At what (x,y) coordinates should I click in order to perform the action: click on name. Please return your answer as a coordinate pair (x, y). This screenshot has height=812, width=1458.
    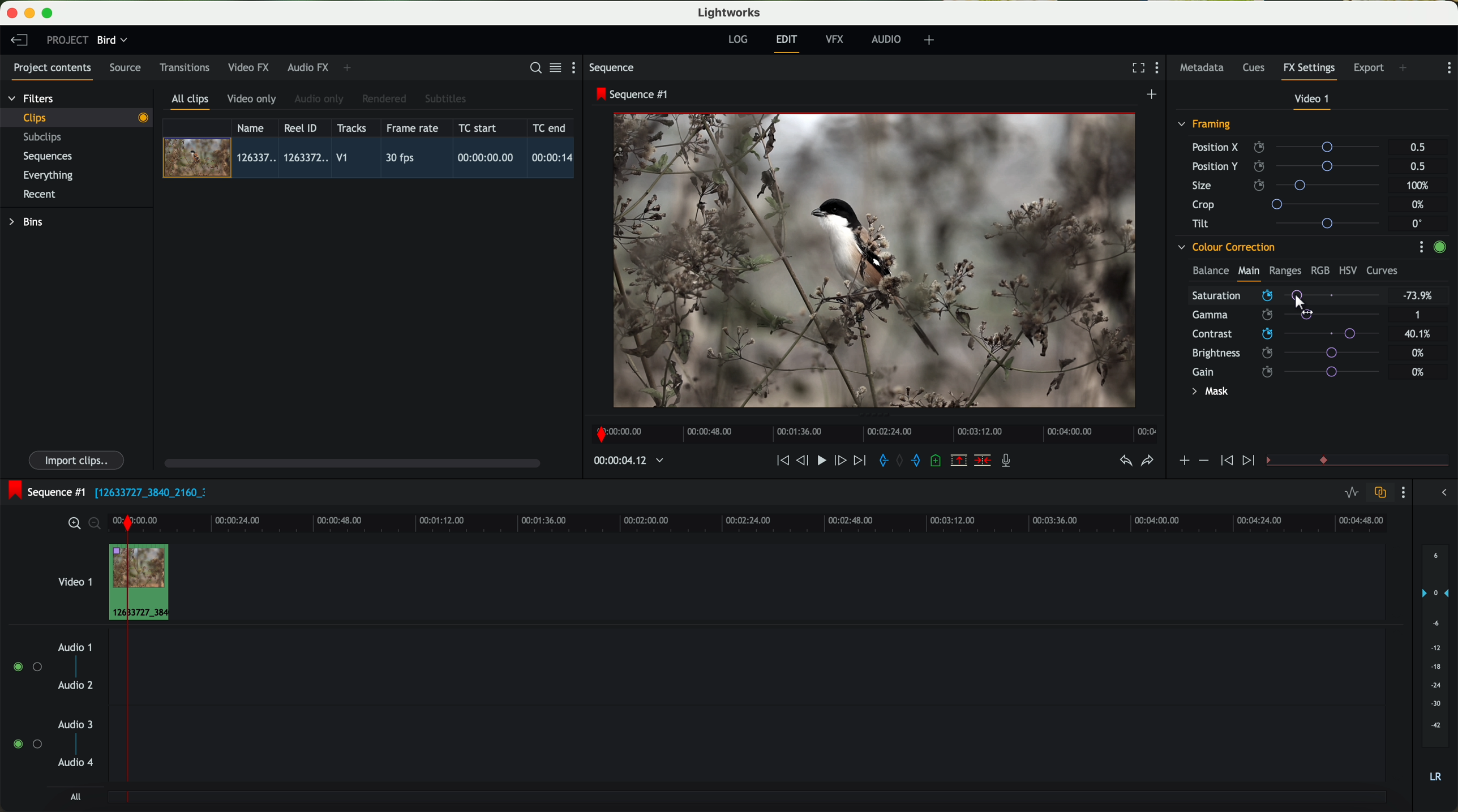
    Looking at the image, I should click on (255, 128).